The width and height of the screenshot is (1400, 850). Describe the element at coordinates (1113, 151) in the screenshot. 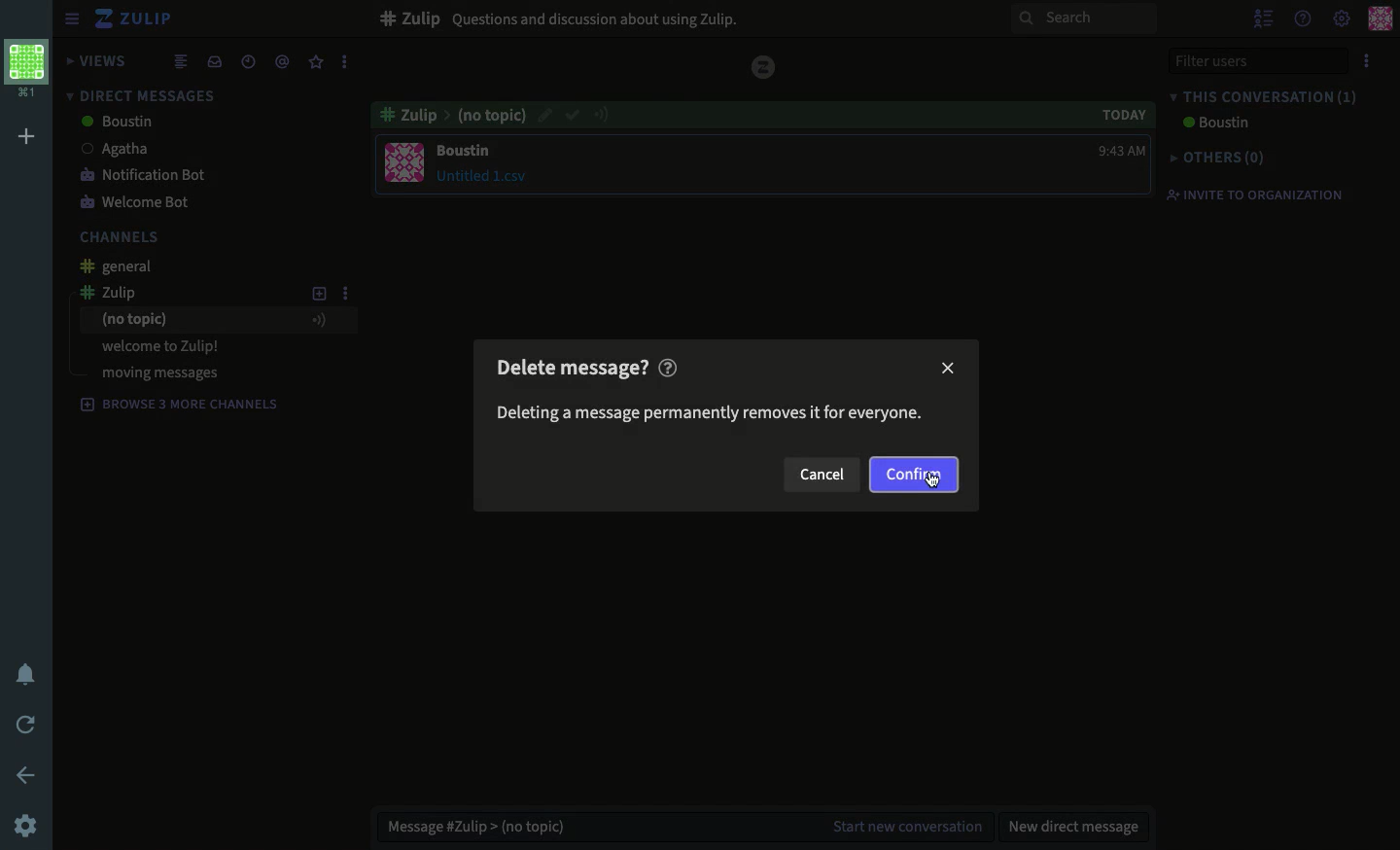

I see `9:43 AM` at that location.